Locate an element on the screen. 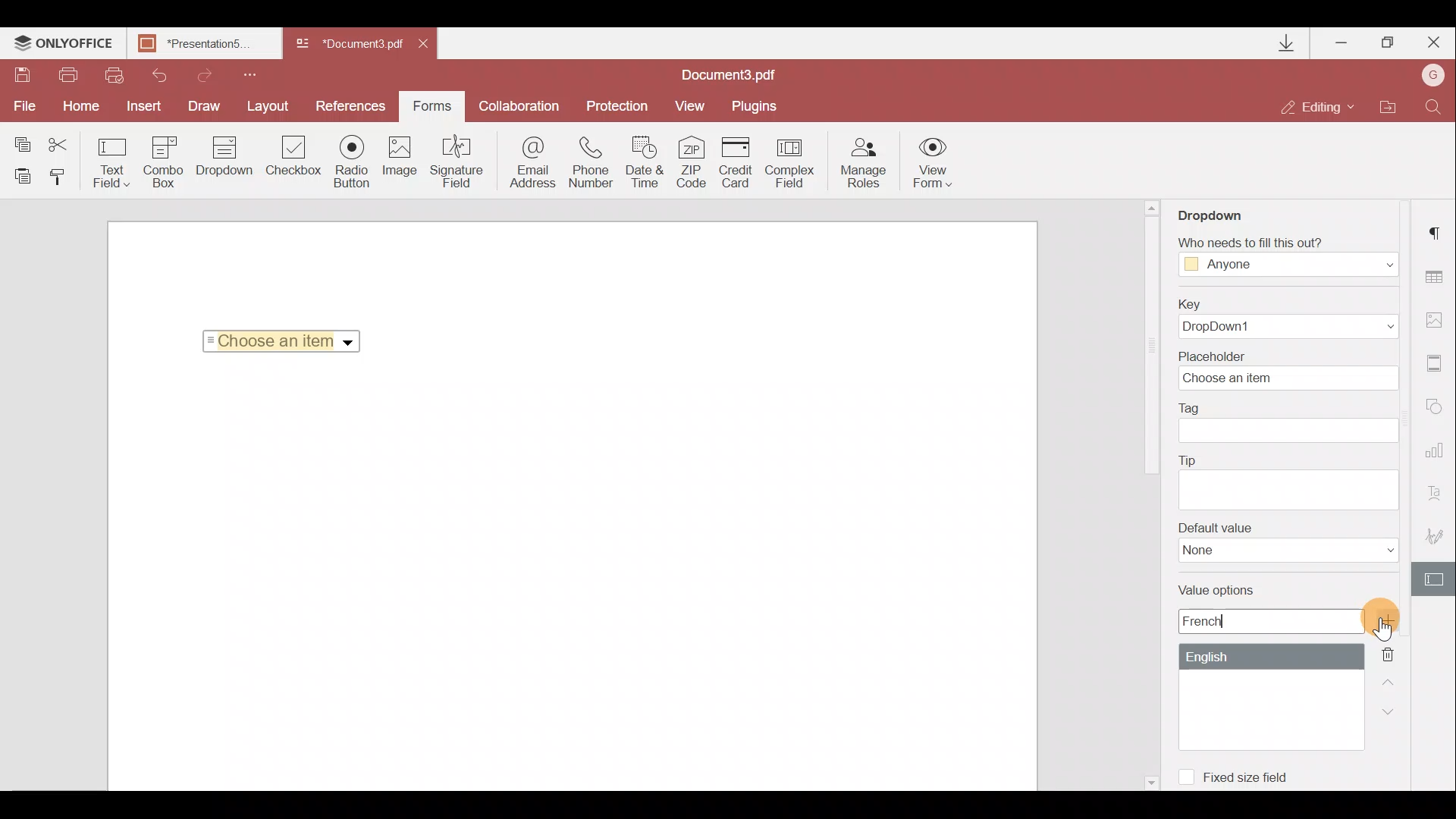 The image size is (1456, 819). Drop down is located at coordinates (224, 158).